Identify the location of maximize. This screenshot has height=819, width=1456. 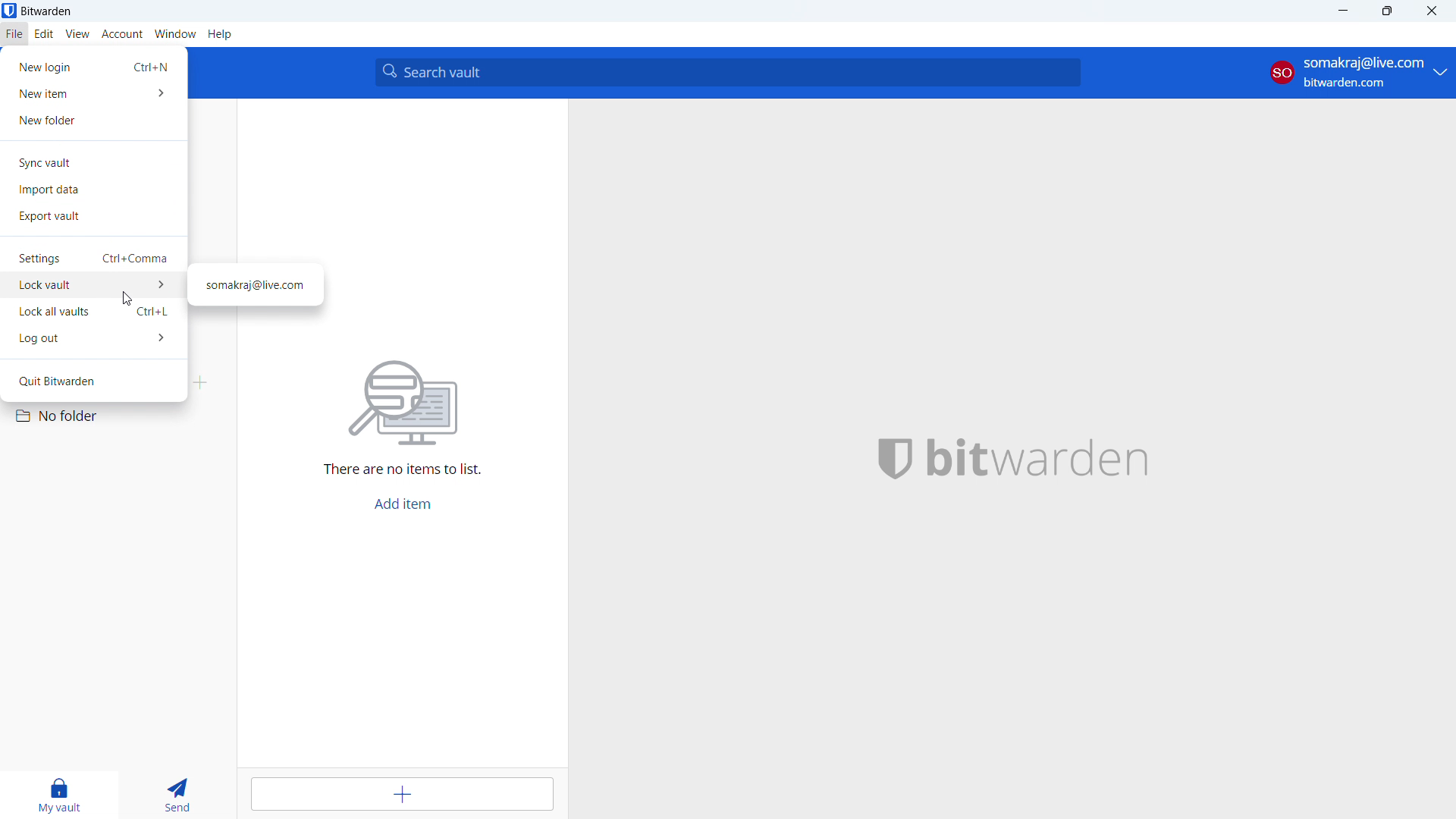
(1389, 11).